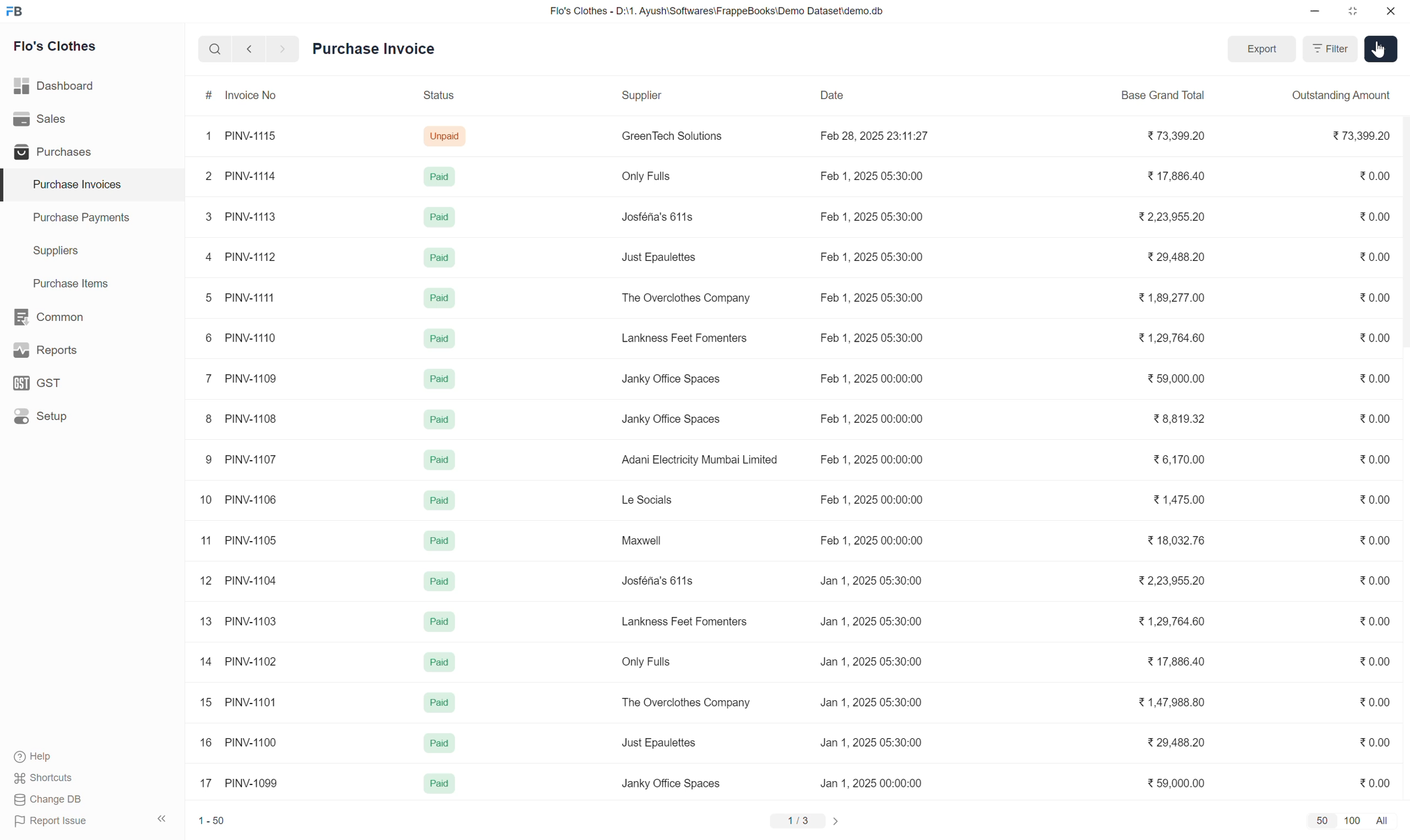 This screenshot has width=1410, height=840. Describe the element at coordinates (206, 742) in the screenshot. I see `16` at that location.